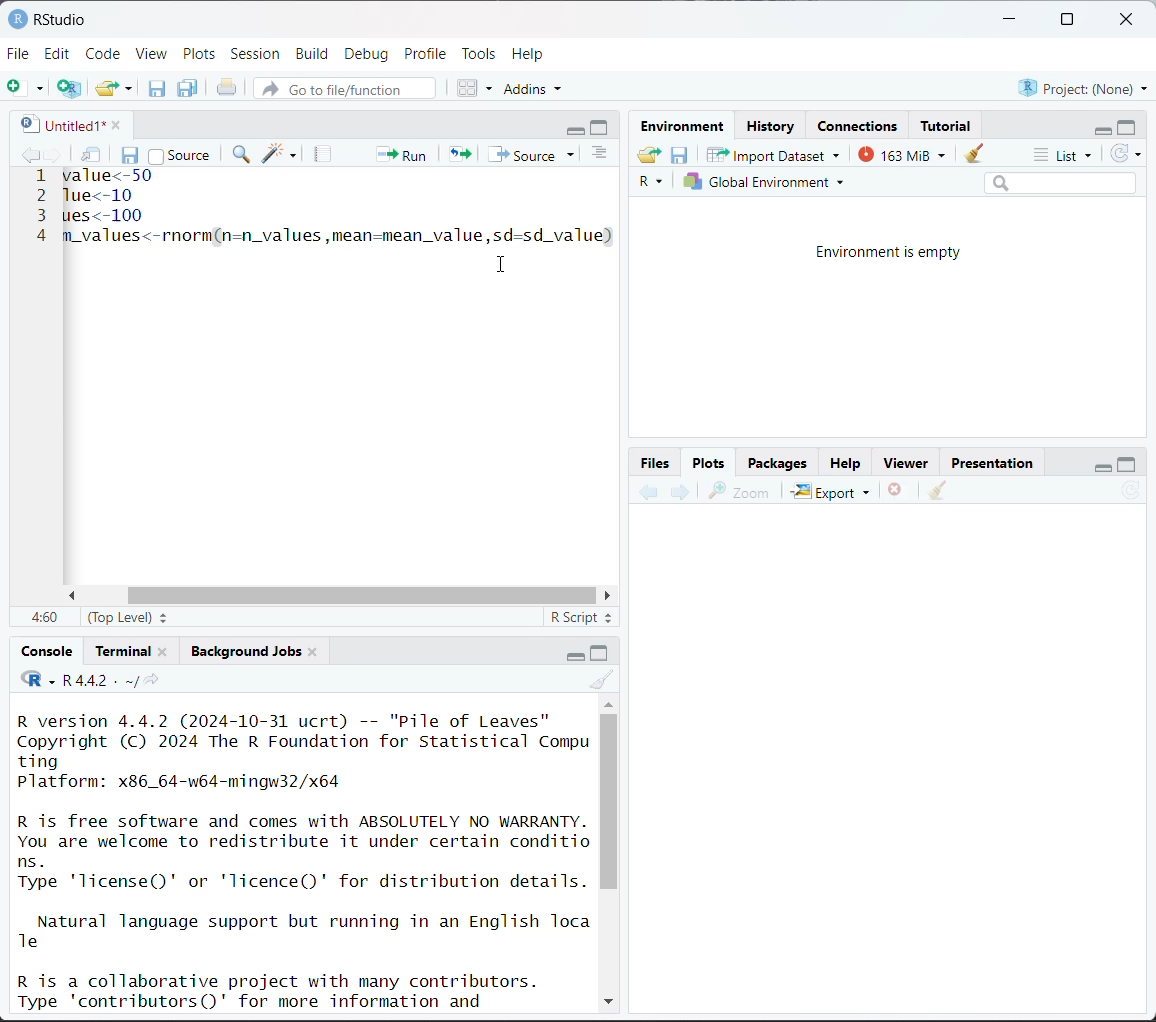 Image resolution: width=1156 pixels, height=1022 pixels. Describe the element at coordinates (48, 651) in the screenshot. I see `Console` at that location.